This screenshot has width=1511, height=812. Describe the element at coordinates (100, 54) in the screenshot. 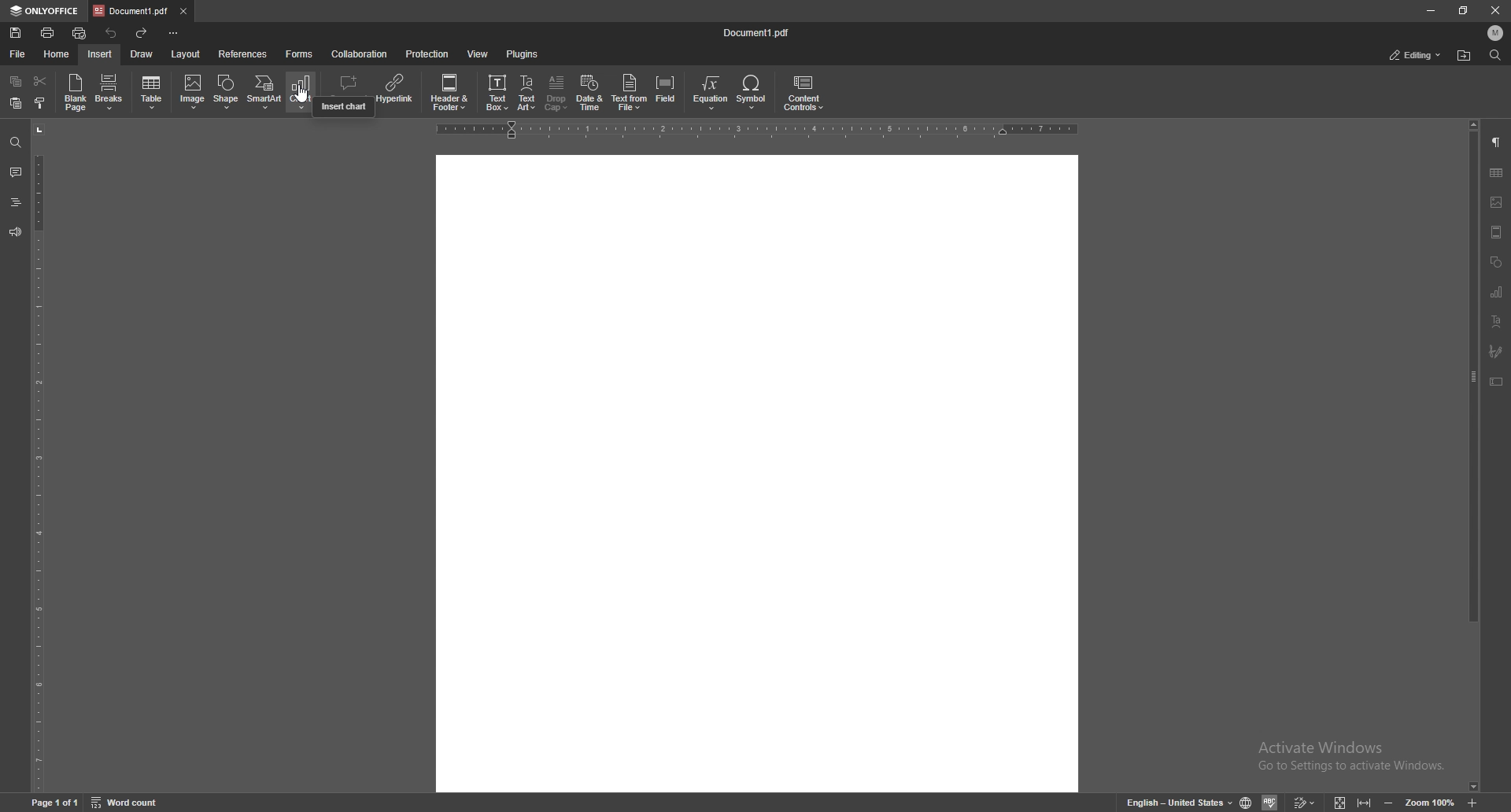

I see `insert` at that location.